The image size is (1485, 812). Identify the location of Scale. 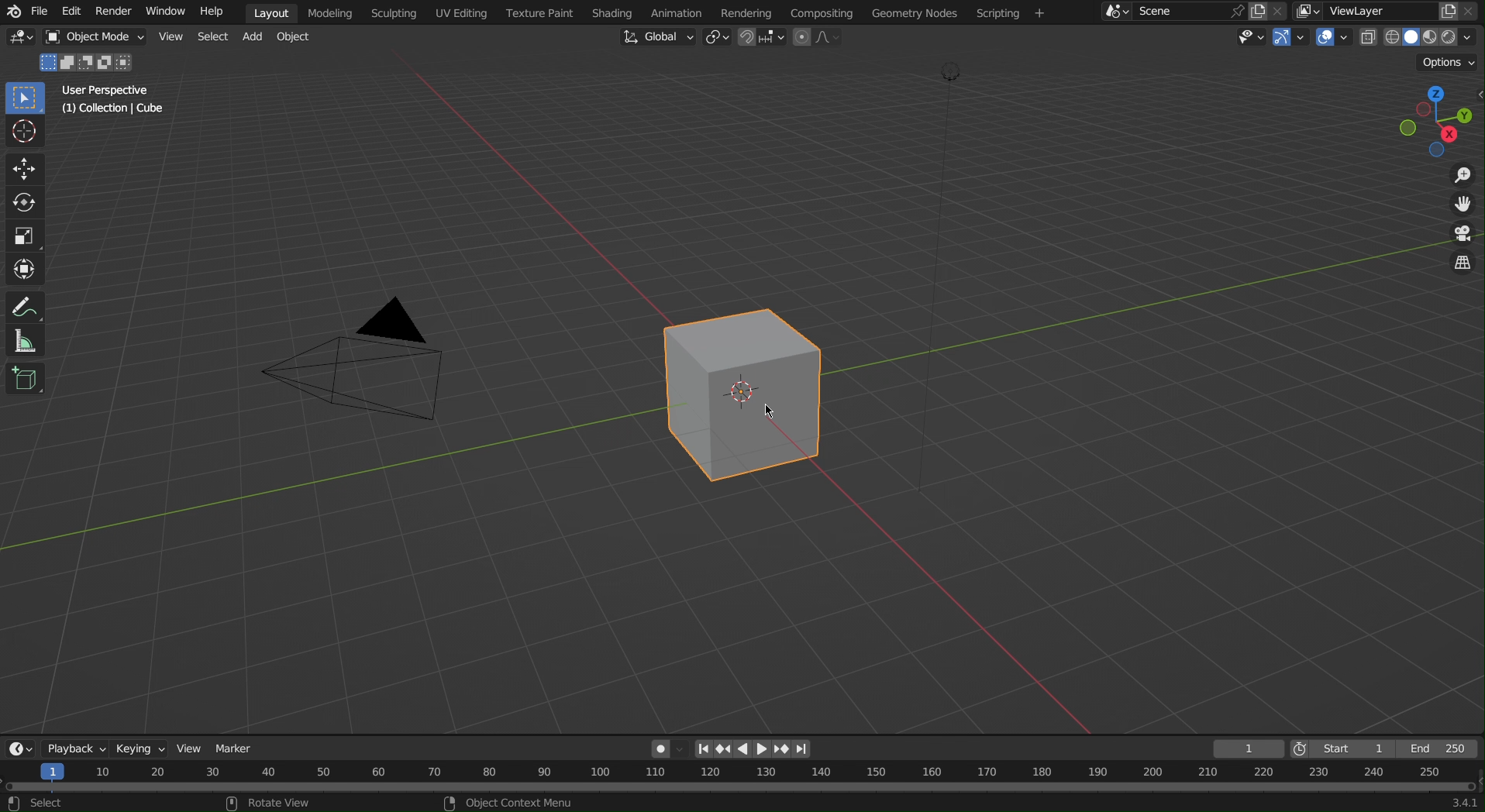
(24, 238).